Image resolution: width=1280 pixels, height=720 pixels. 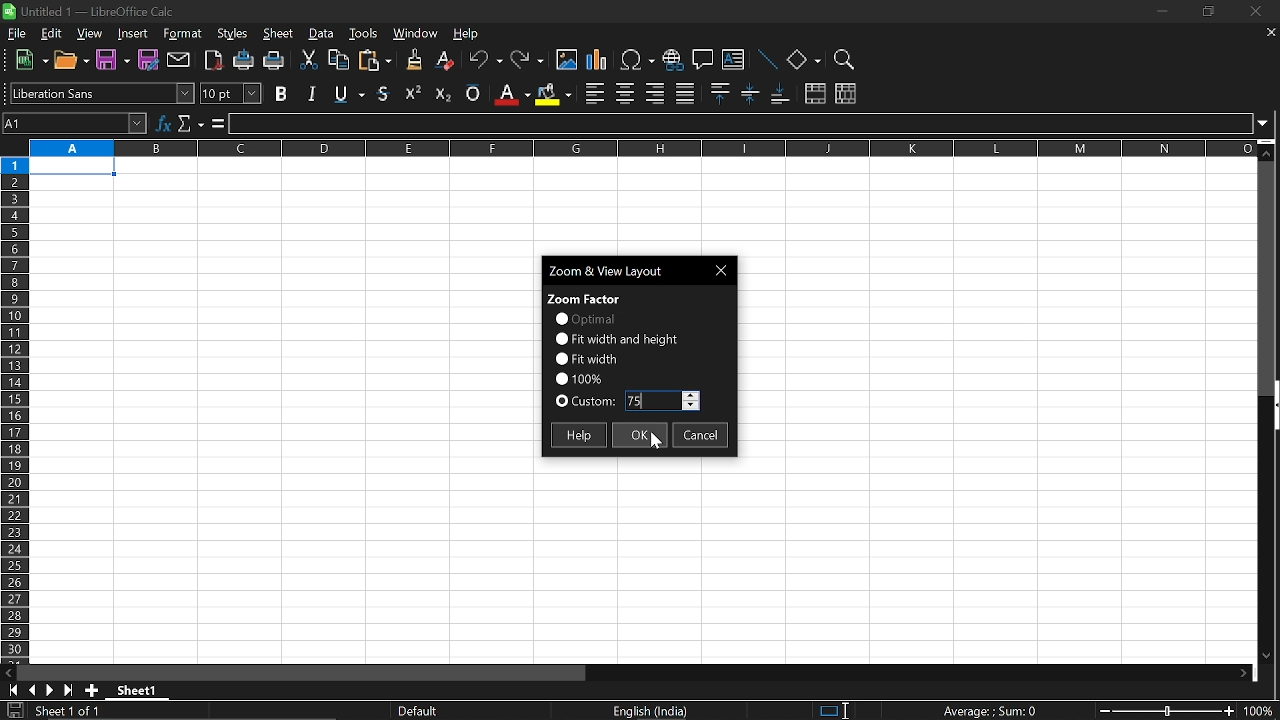 I want to click on name box, so click(x=76, y=123).